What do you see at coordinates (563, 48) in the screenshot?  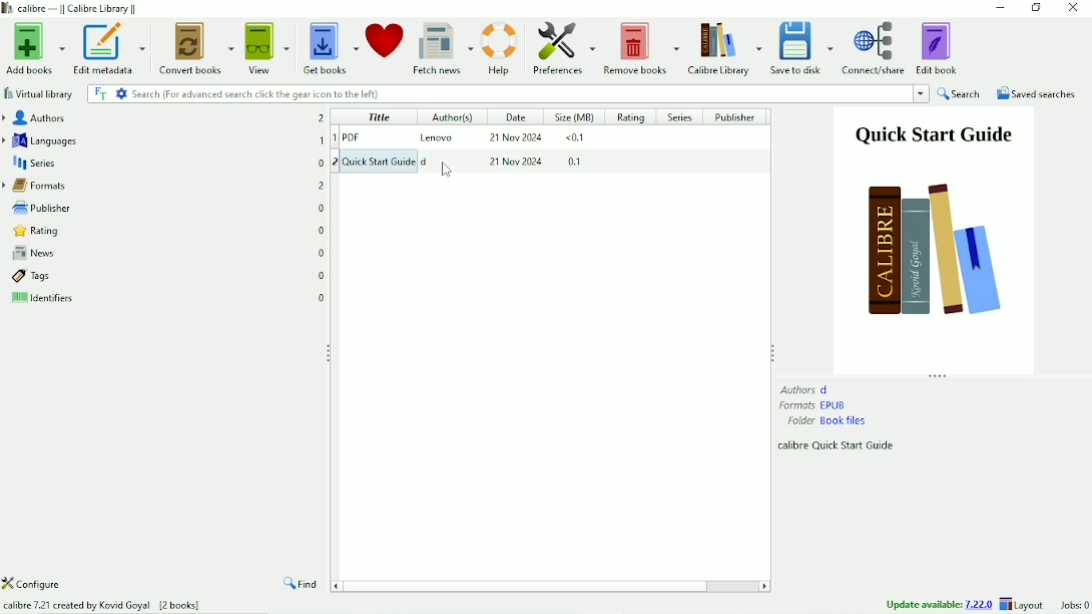 I see `Preferences` at bounding box center [563, 48].